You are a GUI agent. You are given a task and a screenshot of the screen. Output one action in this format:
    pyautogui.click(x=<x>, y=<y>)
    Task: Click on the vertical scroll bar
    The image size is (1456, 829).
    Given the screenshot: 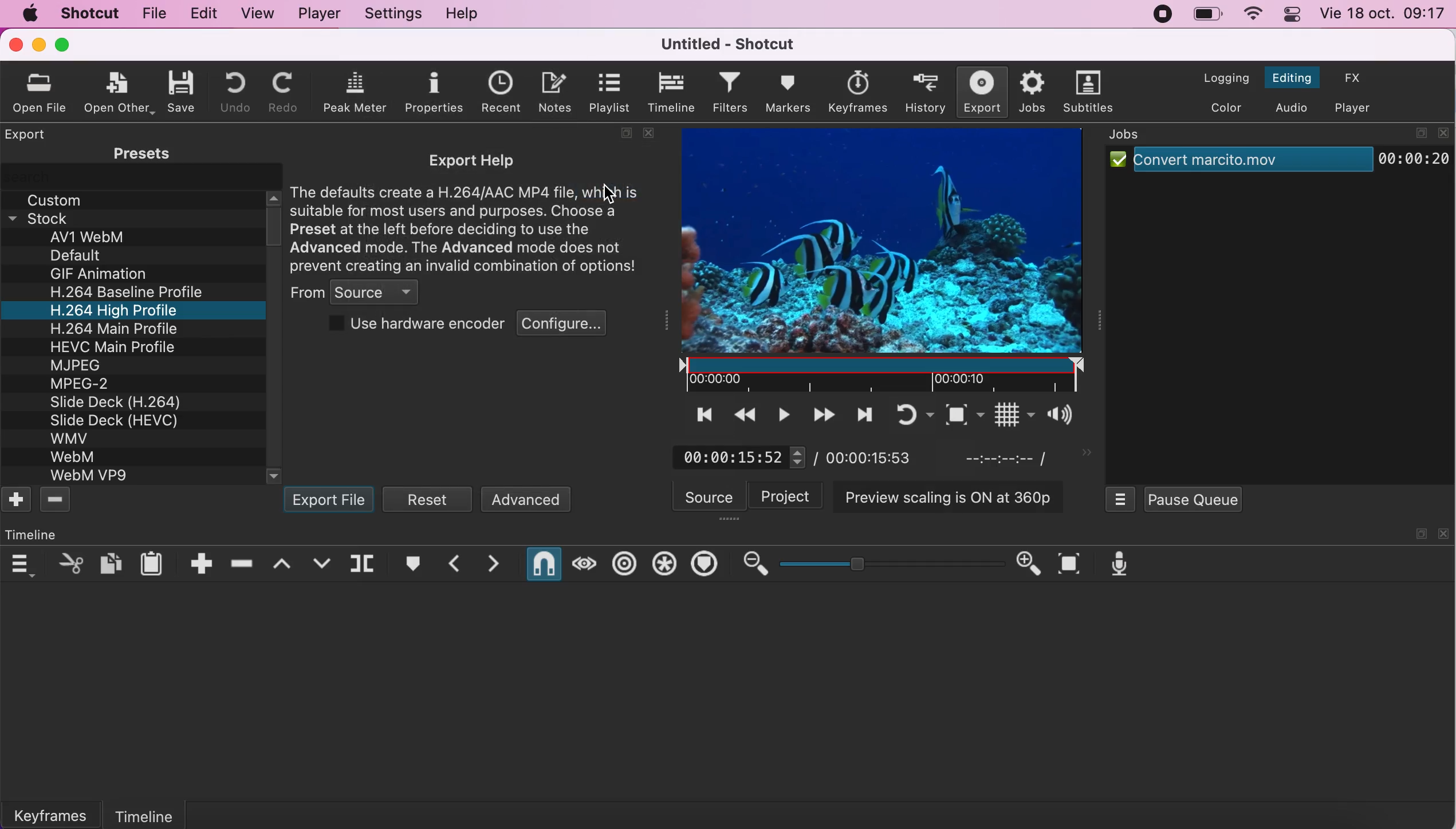 What is the action you would take?
    pyautogui.click(x=275, y=224)
    